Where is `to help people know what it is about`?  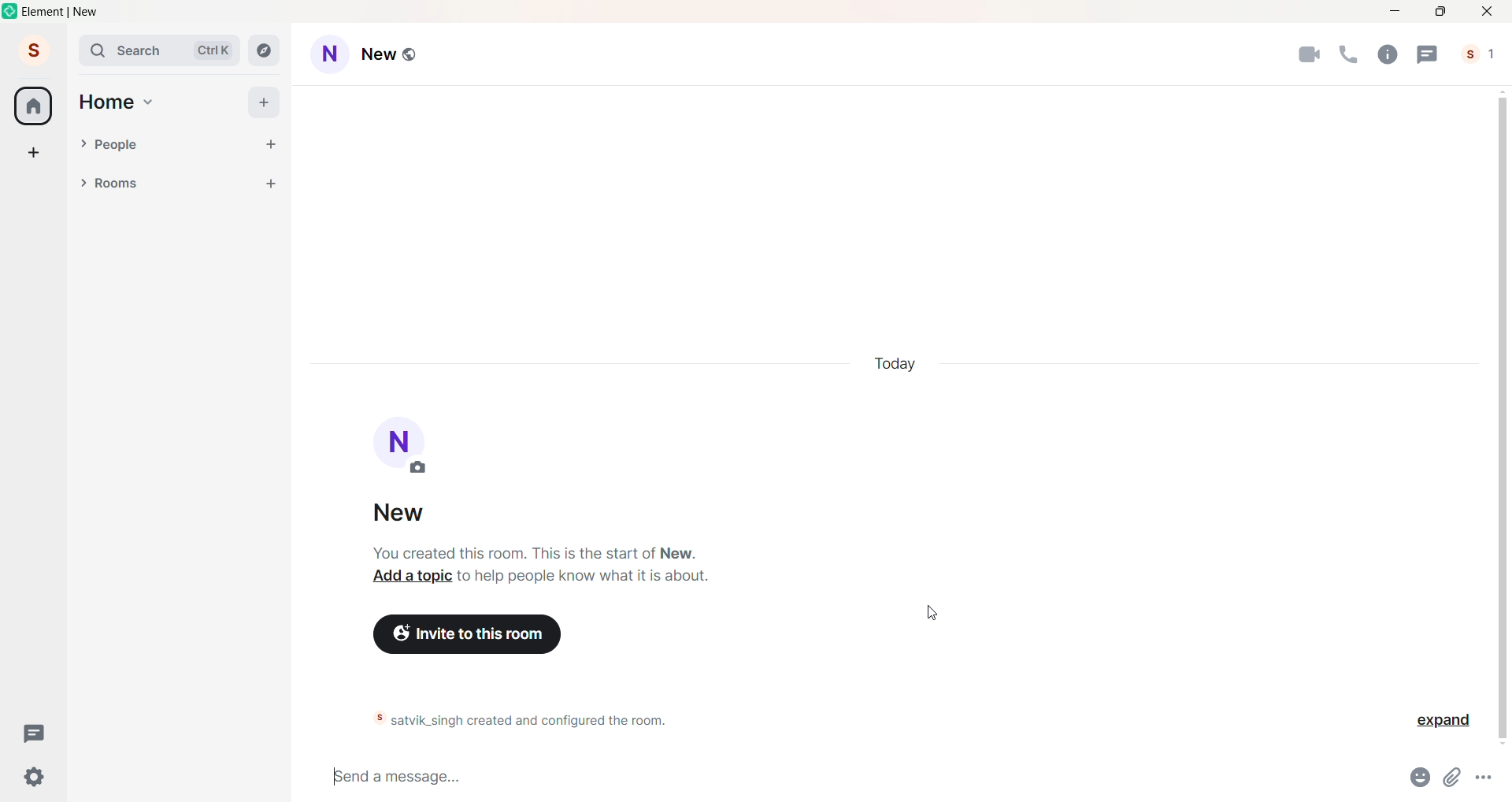 to help people know what it is about is located at coordinates (583, 577).